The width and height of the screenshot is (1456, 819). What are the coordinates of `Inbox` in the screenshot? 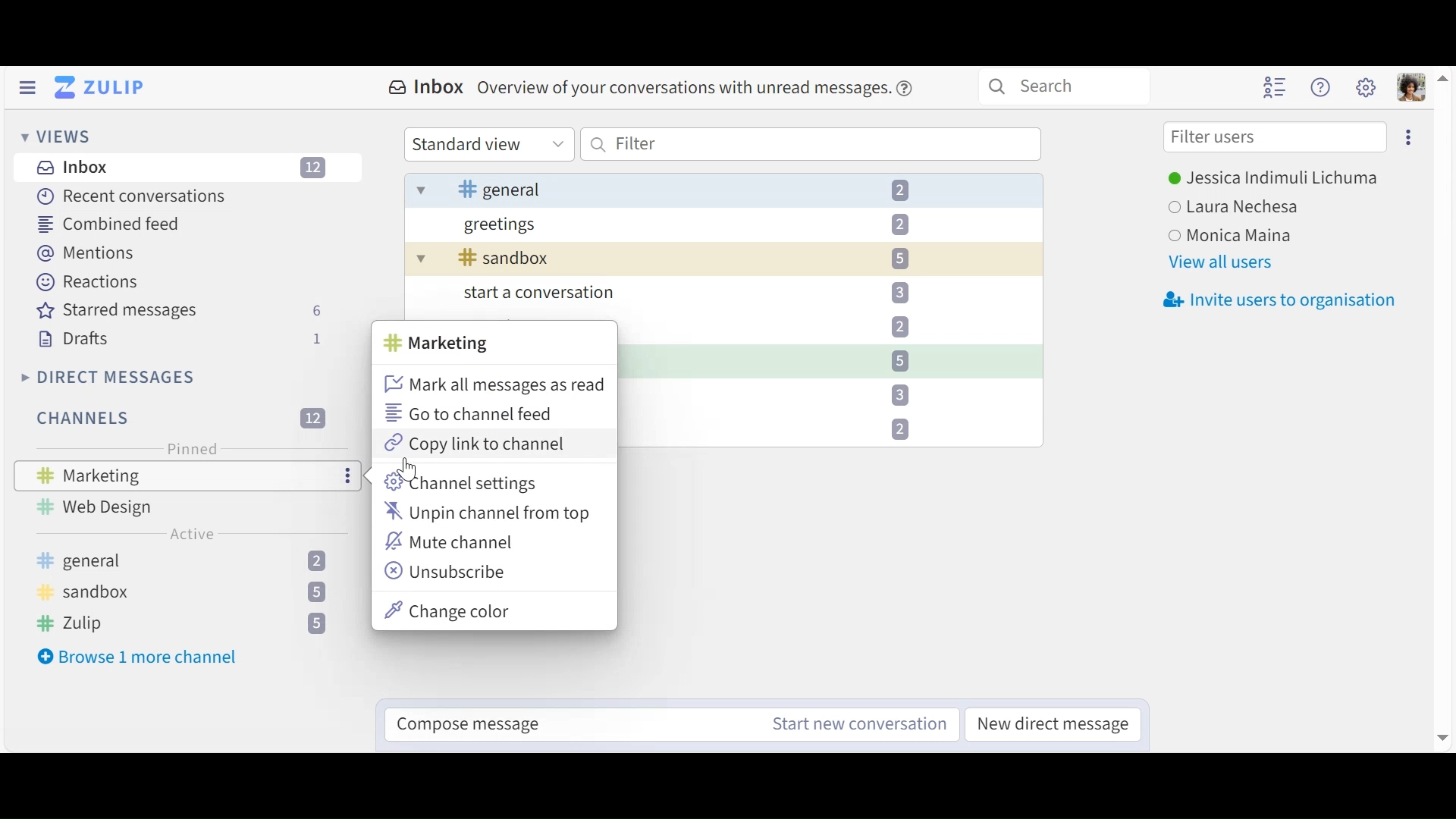 It's located at (652, 88).